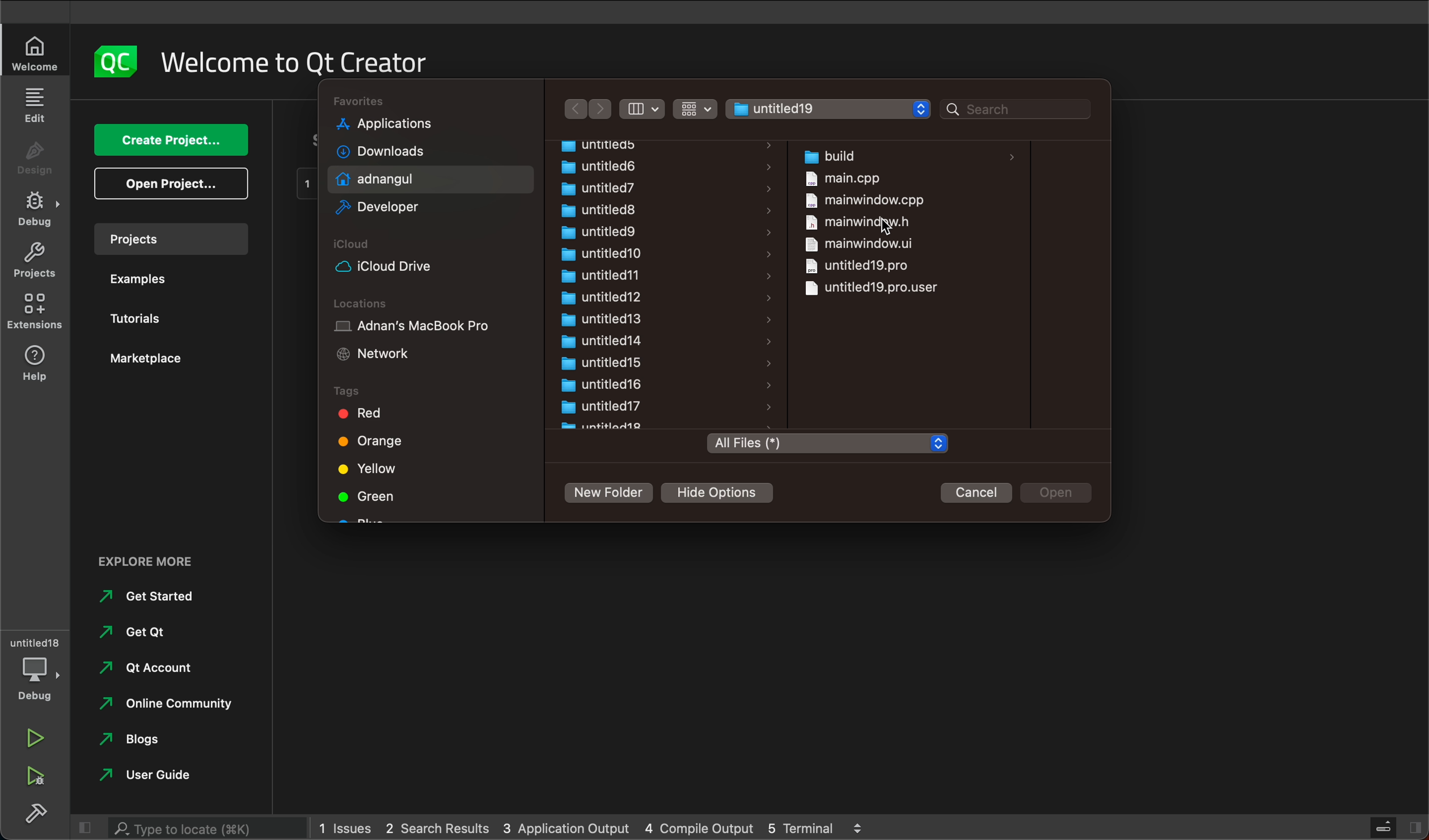  I want to click on search, so click(1017, 110).